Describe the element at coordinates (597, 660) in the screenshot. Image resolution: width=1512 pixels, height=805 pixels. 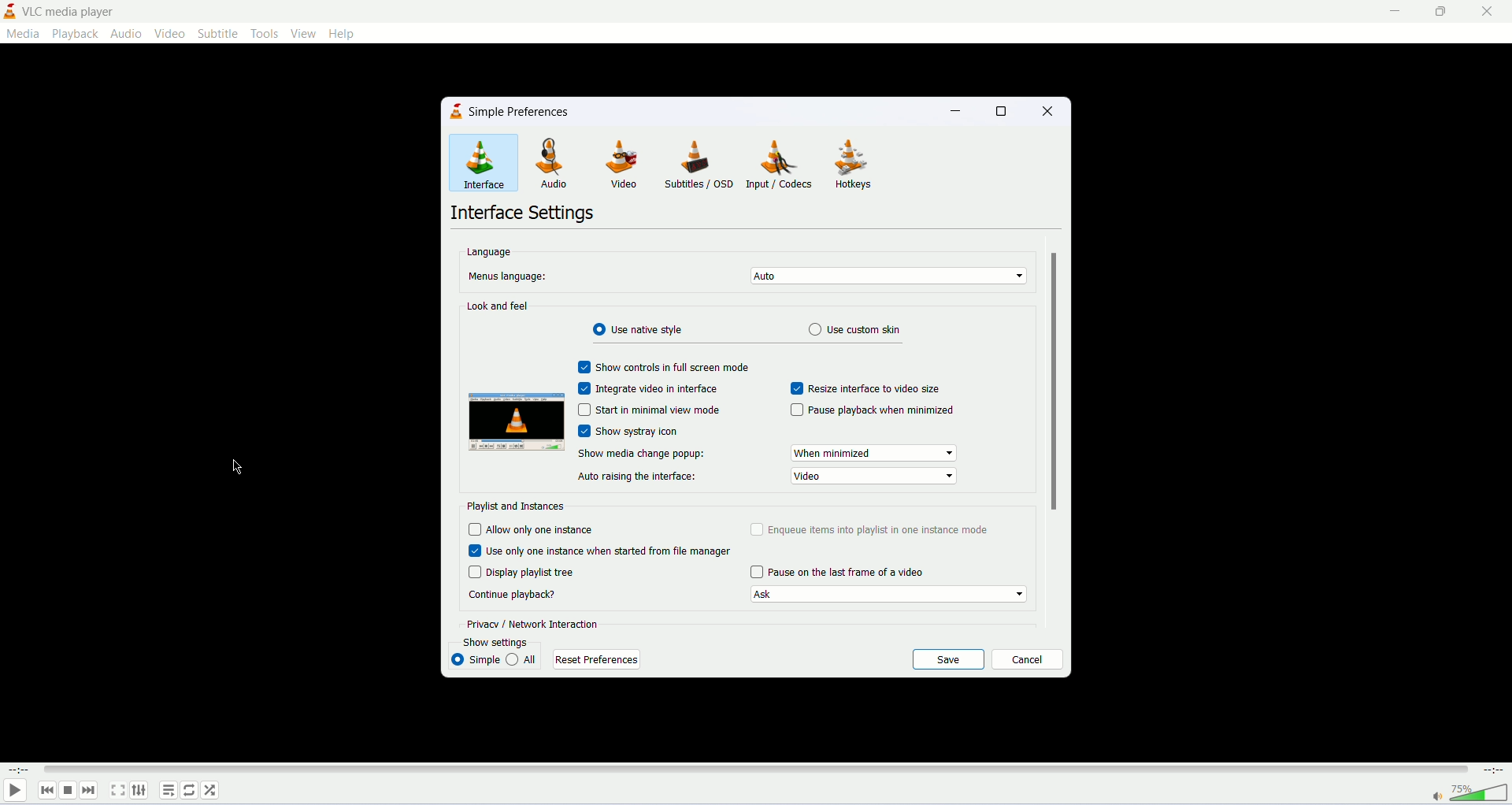
I see `reset preferences` at that location.